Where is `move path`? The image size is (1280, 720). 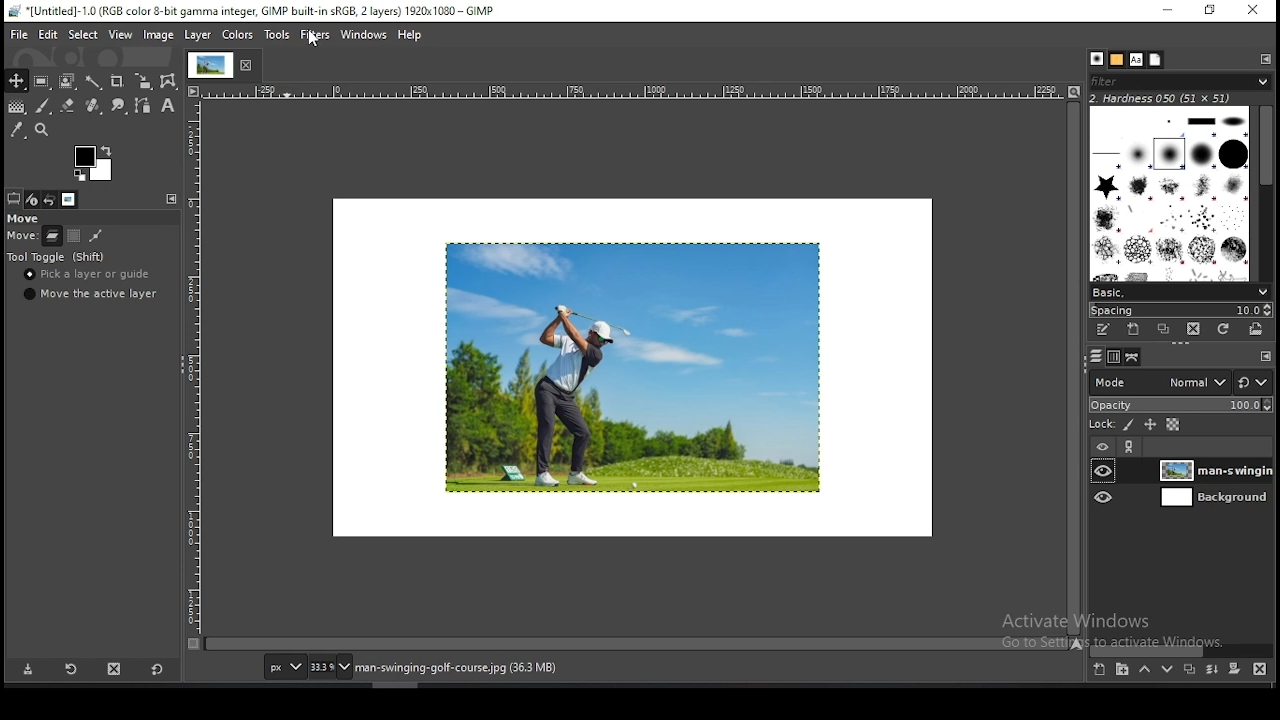 move path is located at coordinates (97, 235).